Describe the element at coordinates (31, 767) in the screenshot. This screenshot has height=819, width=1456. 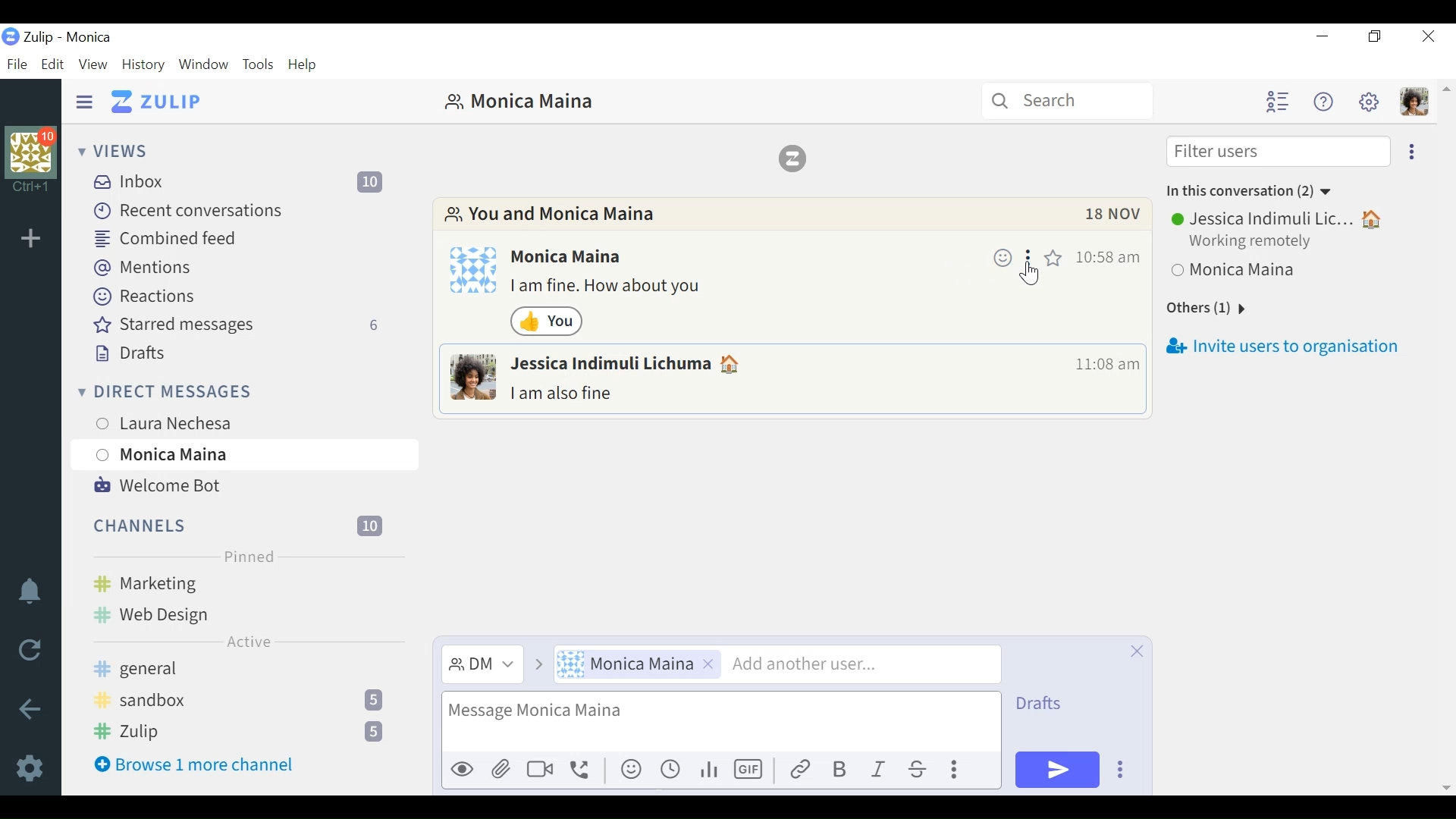
I see `Settings` at that location.